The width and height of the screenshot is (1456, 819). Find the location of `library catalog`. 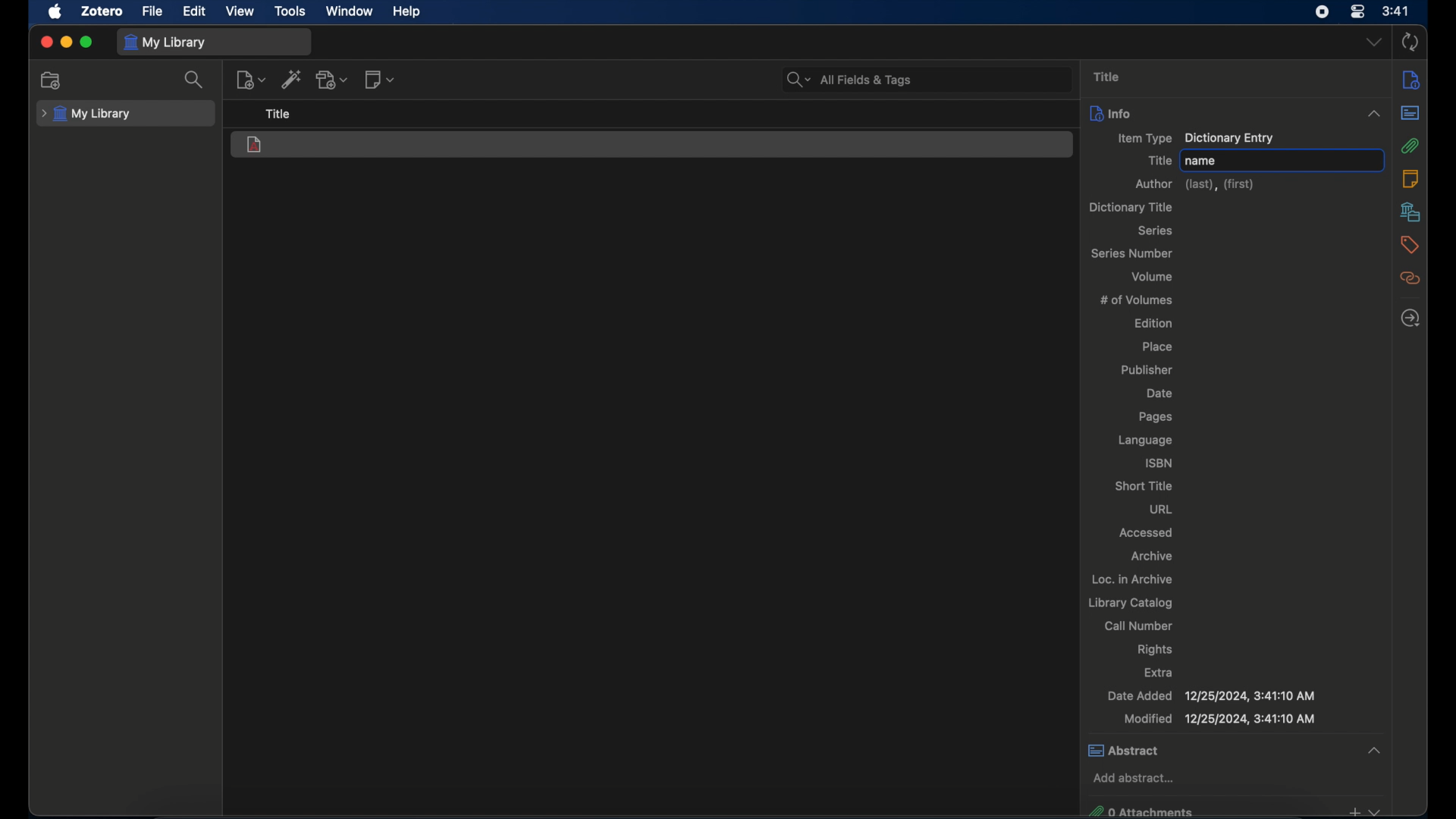

library catalog is located at coordinates (1131, 603).